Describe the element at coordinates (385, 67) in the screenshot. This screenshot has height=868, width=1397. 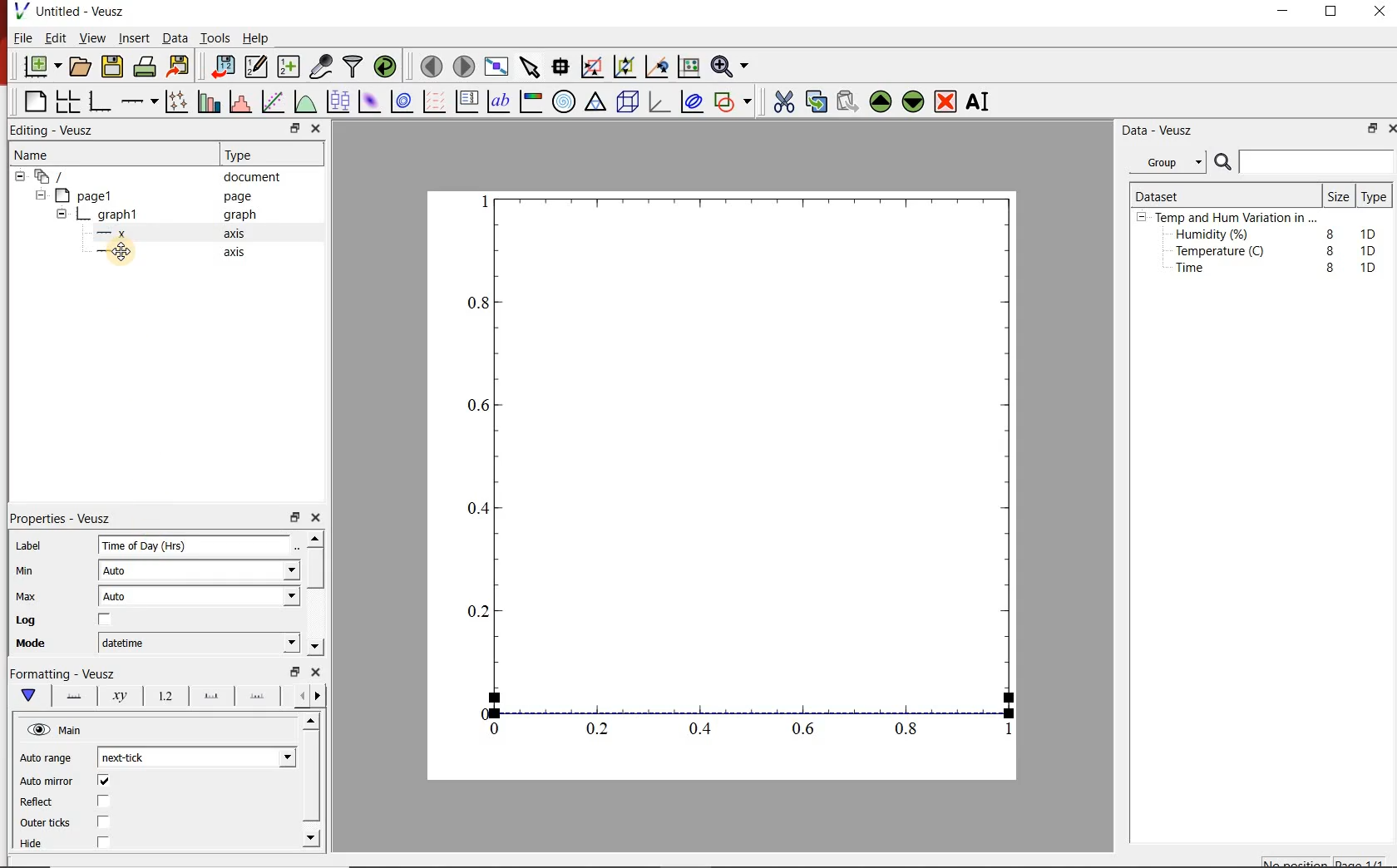
I see `reload linked datasets` at that location.